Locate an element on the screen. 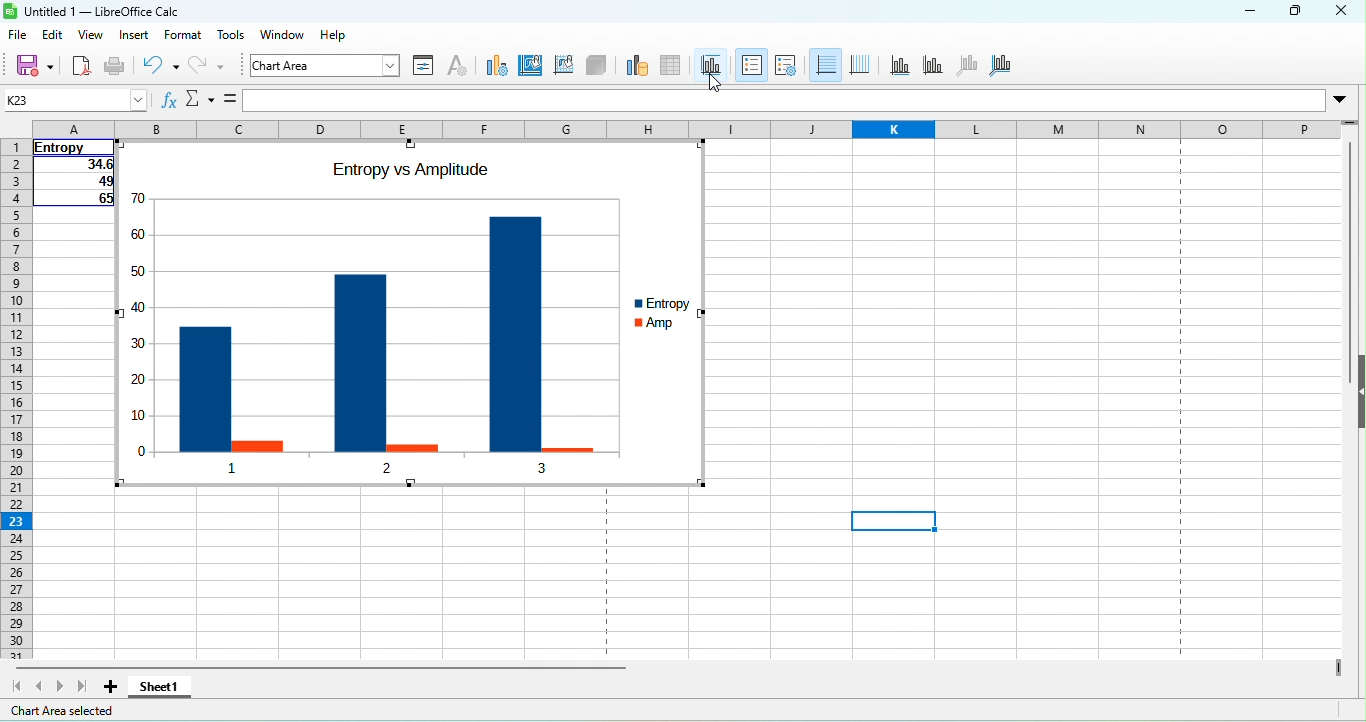 Image resolution: width=1366 pixels, height=722 pixels. 2 is located at coordinates (381, 472).